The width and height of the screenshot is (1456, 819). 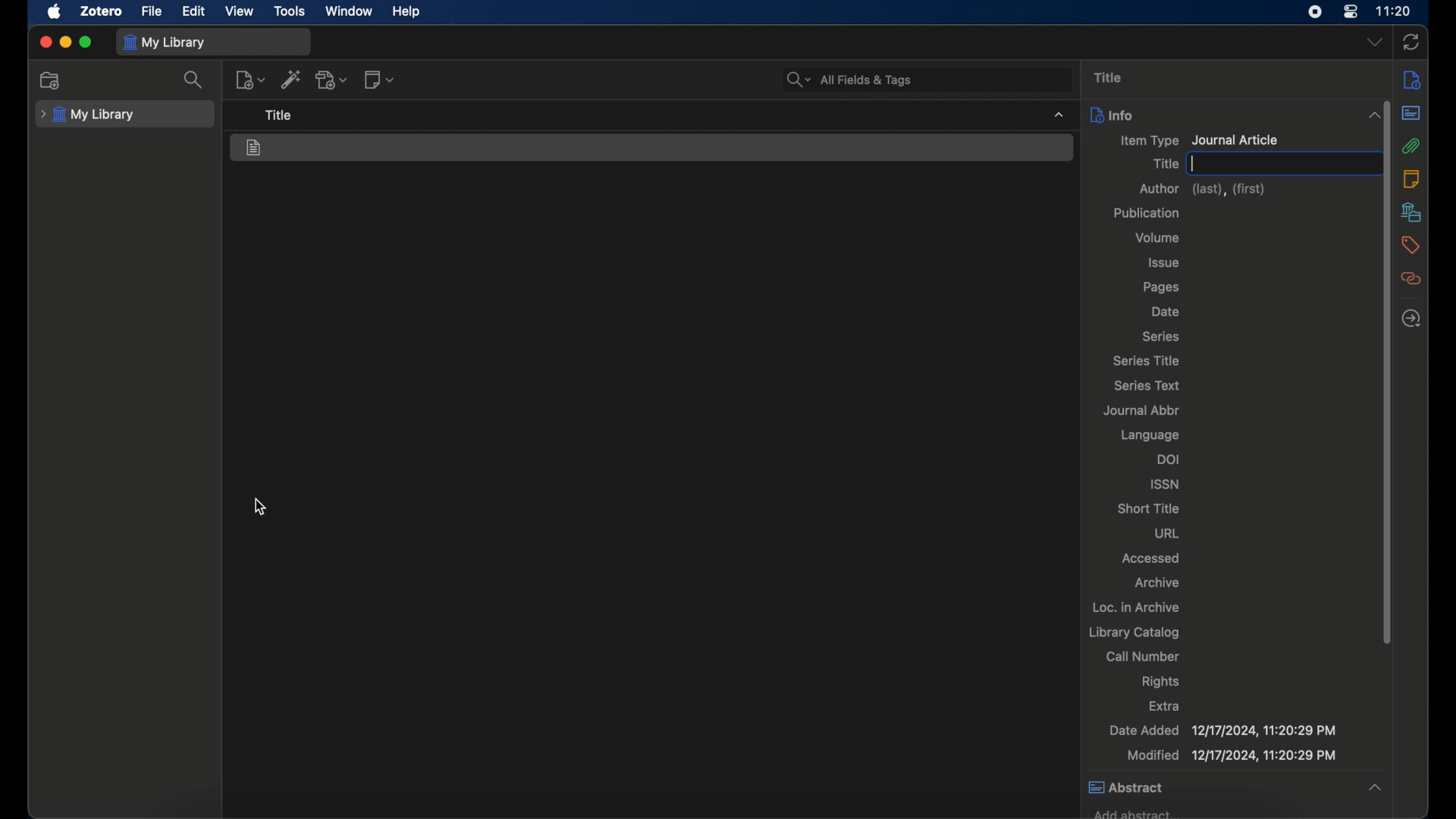 What do you see at coordinates (1164, 704) in the screenshot?
I see `extra` at bounding box center [1164, 704].